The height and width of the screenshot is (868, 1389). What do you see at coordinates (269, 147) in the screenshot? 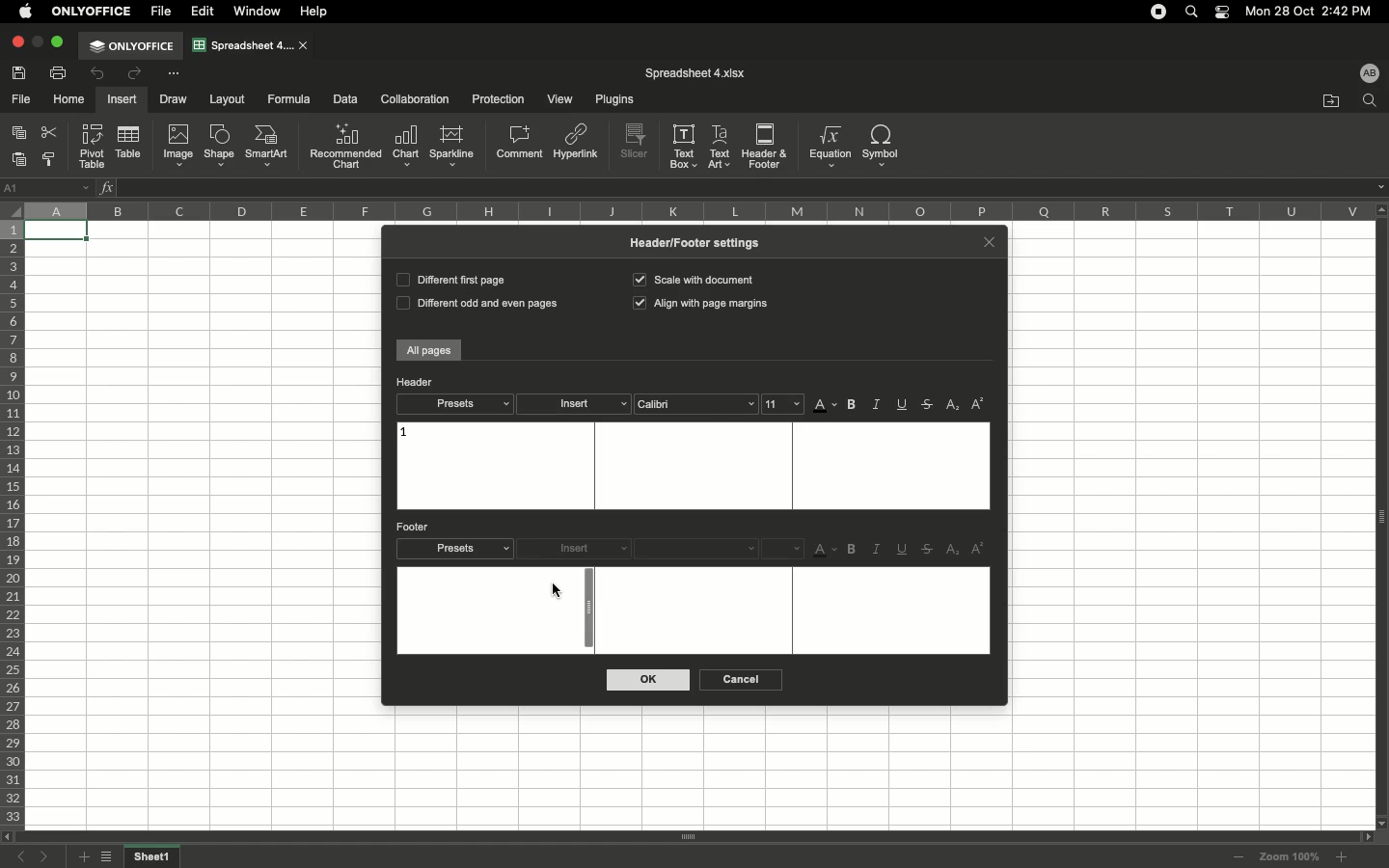
I see `SmartArt` at bounding box center [269, 147].